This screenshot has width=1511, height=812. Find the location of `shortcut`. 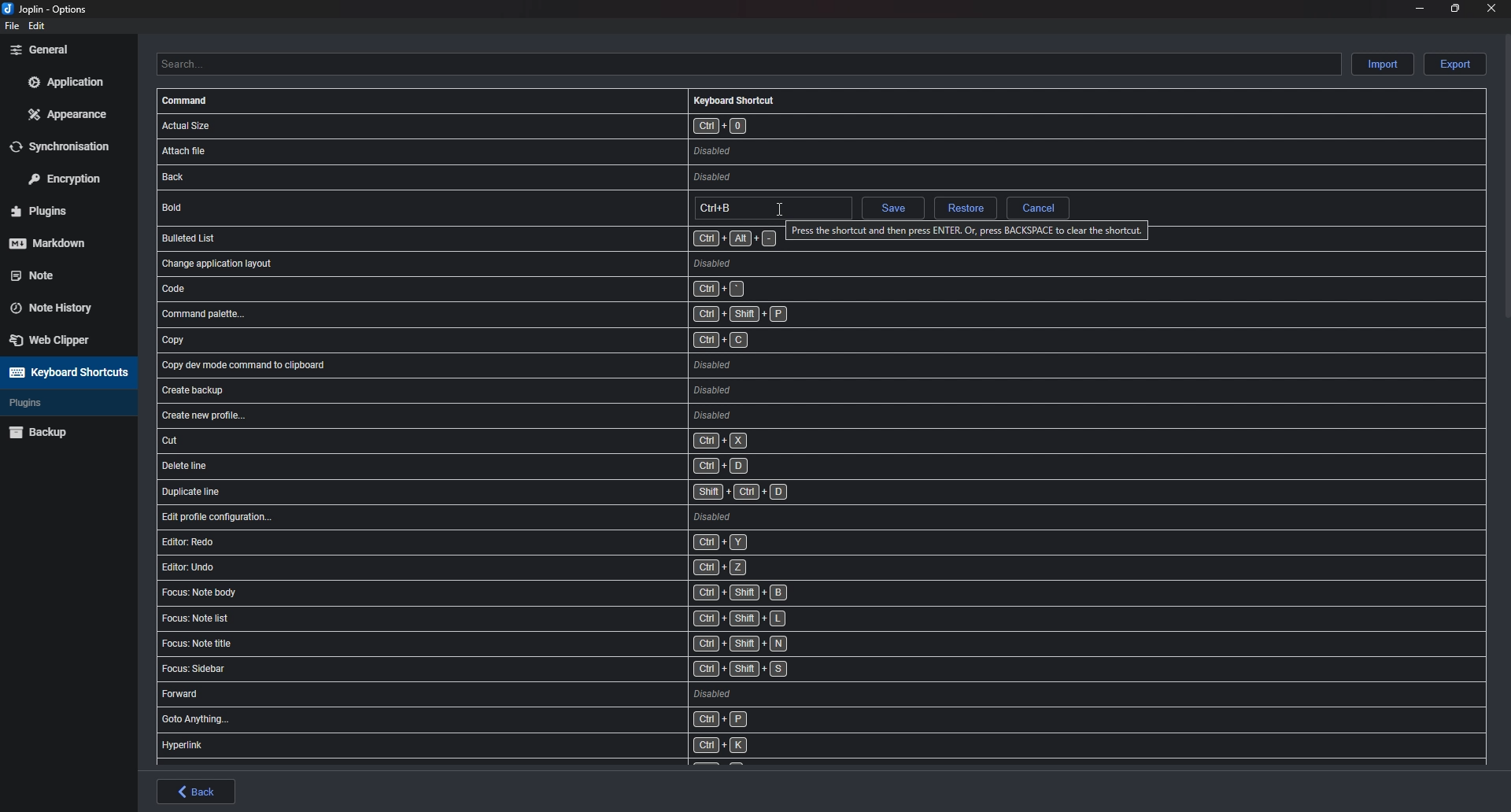

shortcut is located at coordinates (530, 342).